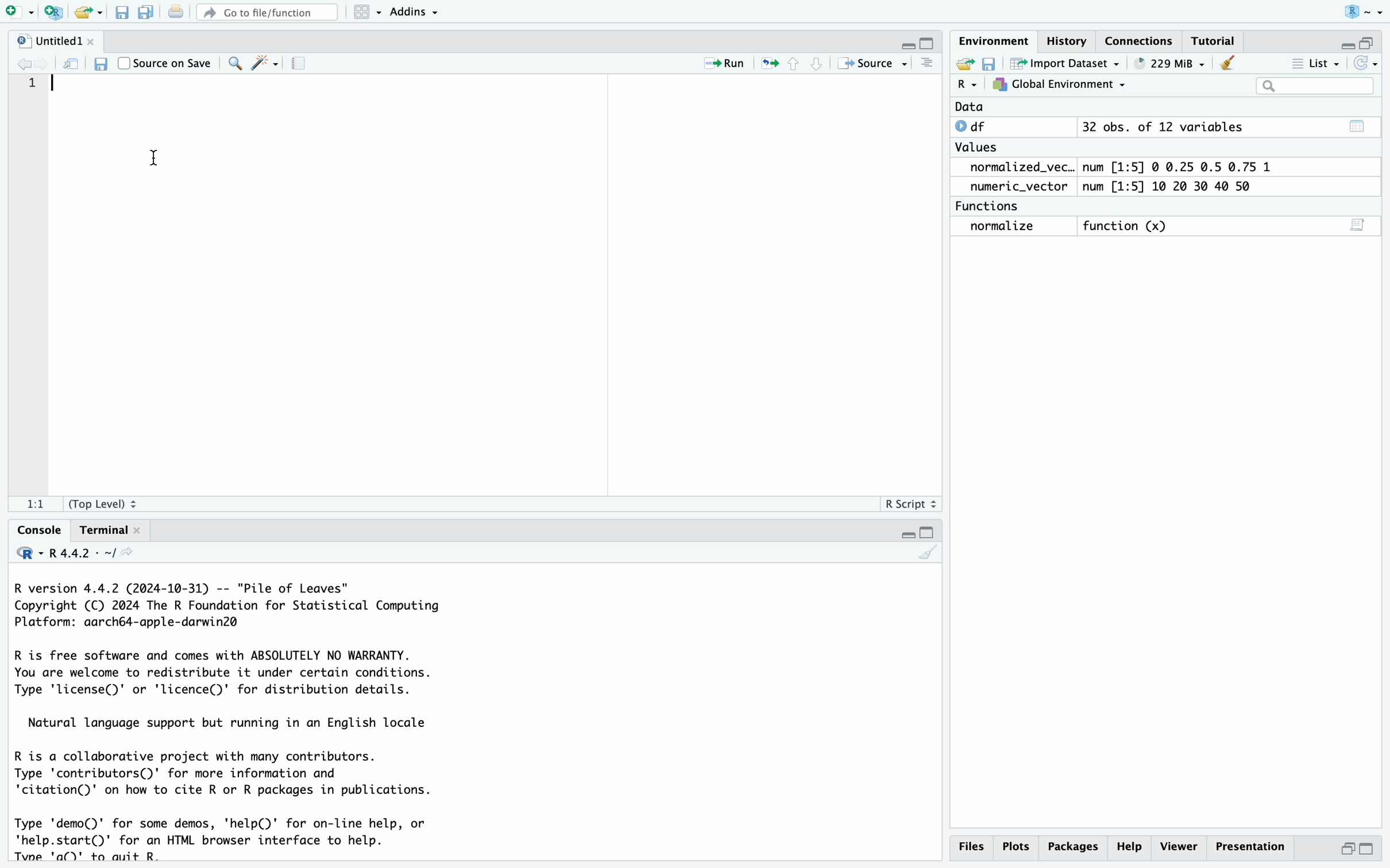 The width and height of the screenshot is (1390, 868). What do you see at coordinates (104, 65) in the screenshot?
I see `save` at bounding box center [104, 65].